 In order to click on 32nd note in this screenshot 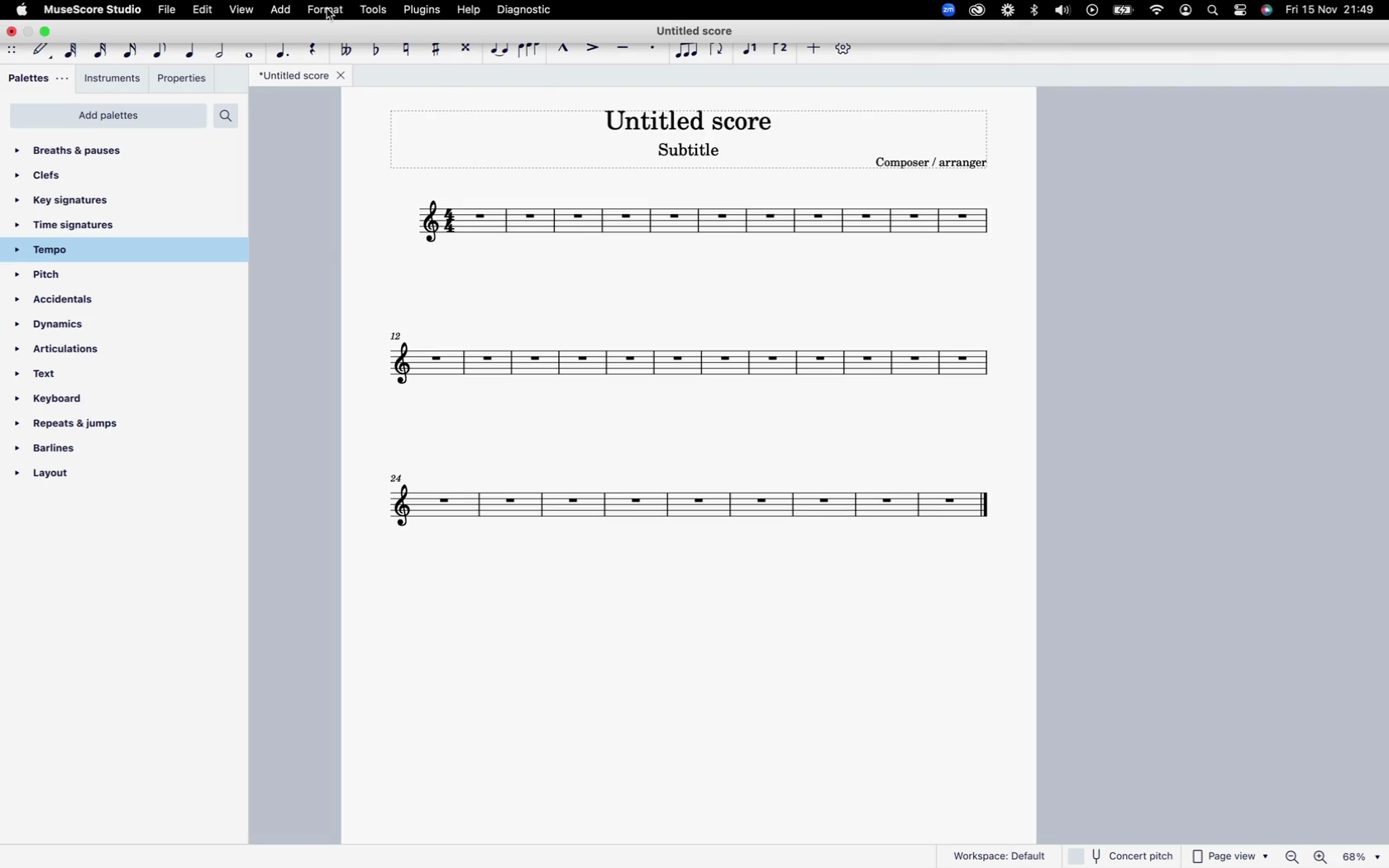, I will do `click(102, 48)`.